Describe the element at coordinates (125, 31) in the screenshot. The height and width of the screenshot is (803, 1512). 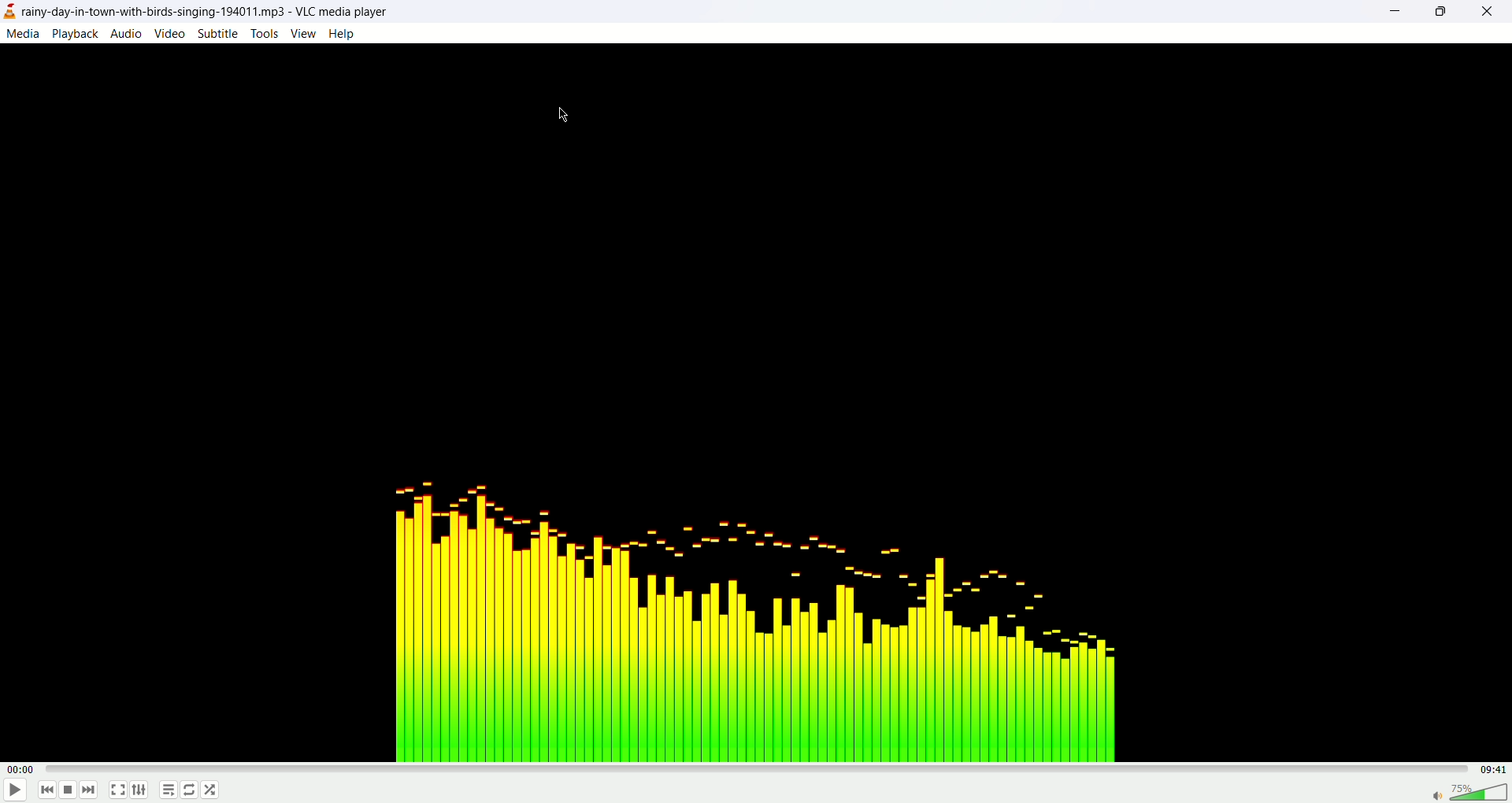
I see `audio` at that location.